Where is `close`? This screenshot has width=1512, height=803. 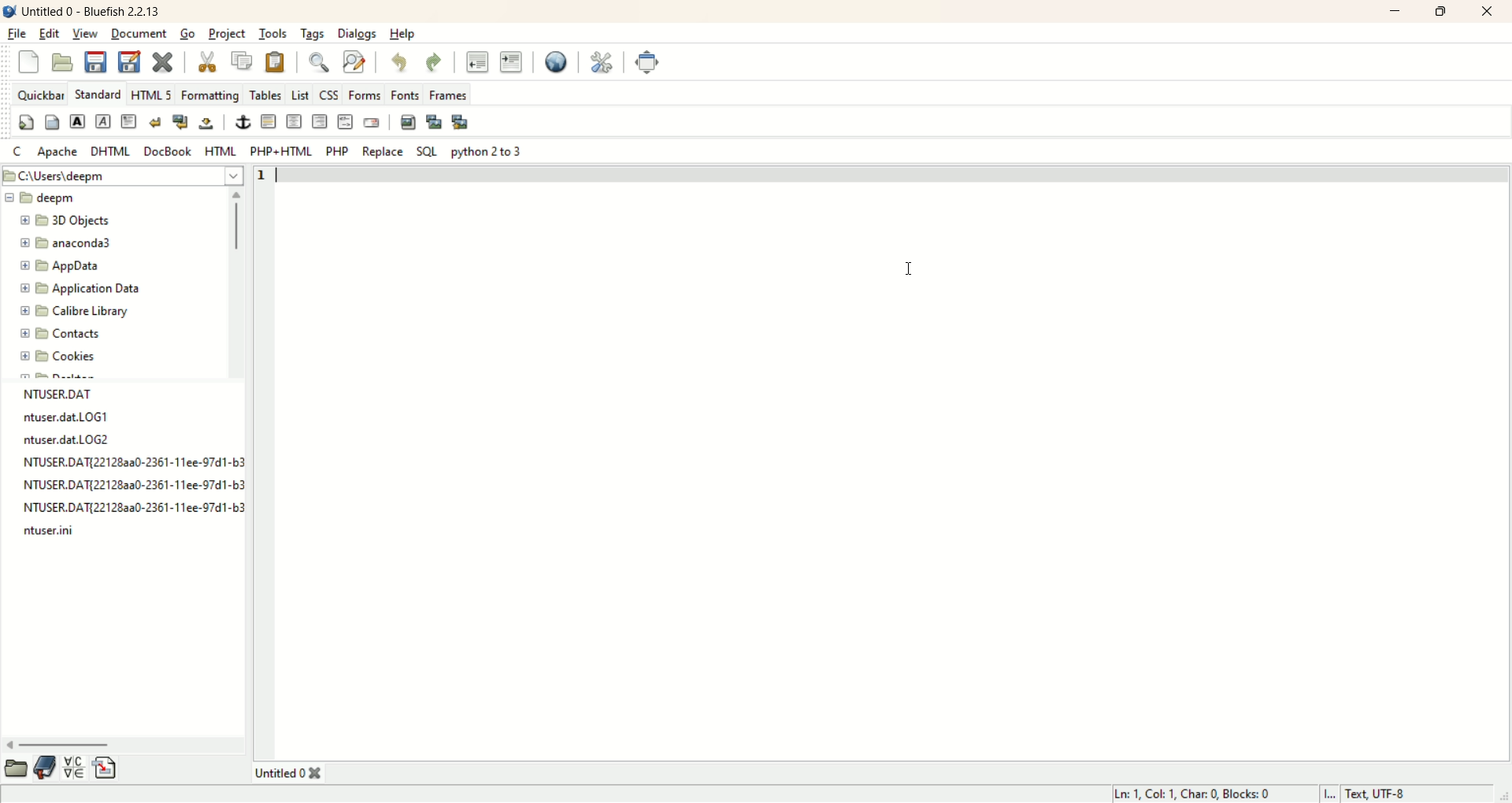
close is located at coordinates (1489, 11).